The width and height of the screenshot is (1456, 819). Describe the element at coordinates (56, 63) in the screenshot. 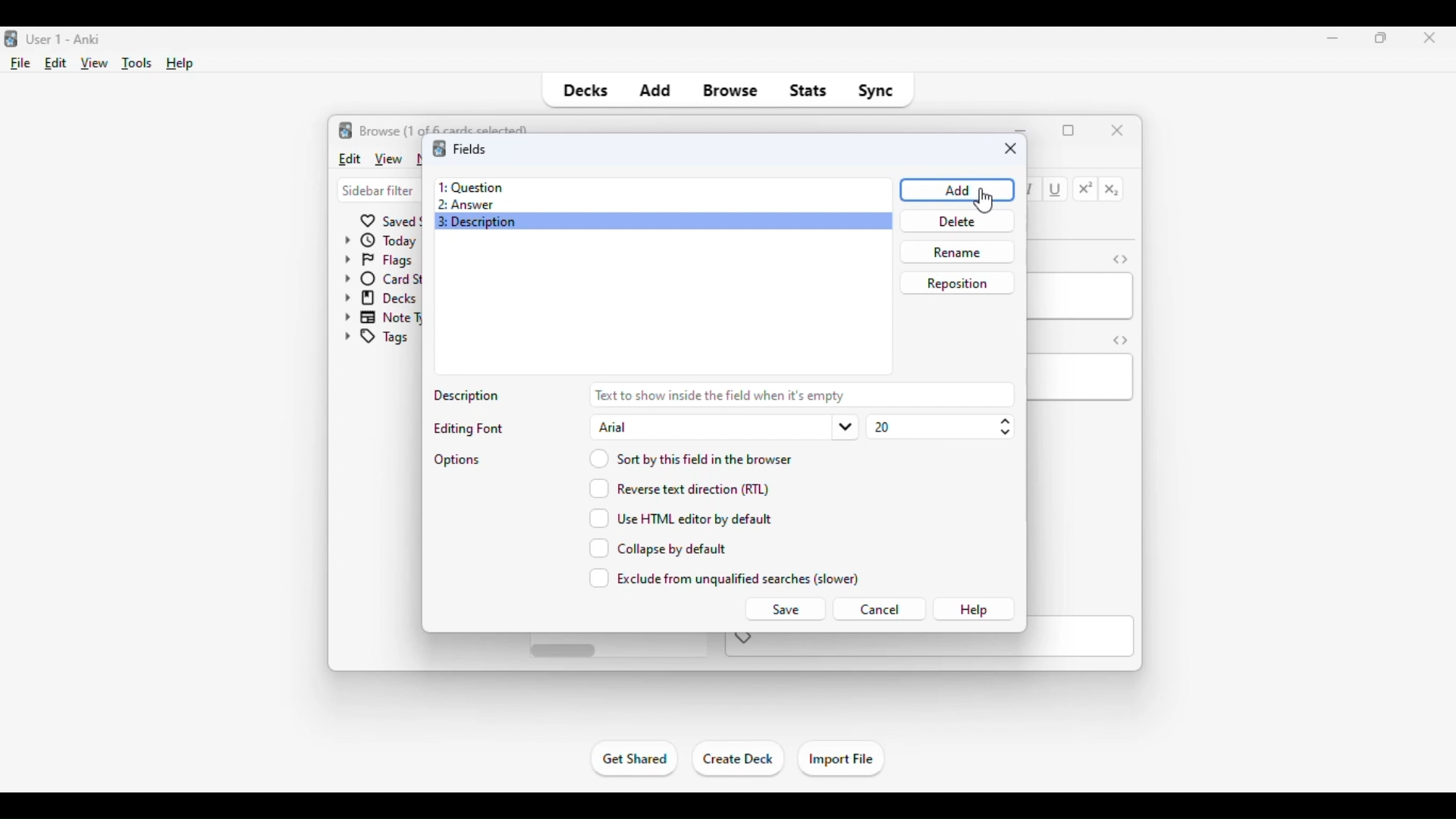

I see `edit` at that location.